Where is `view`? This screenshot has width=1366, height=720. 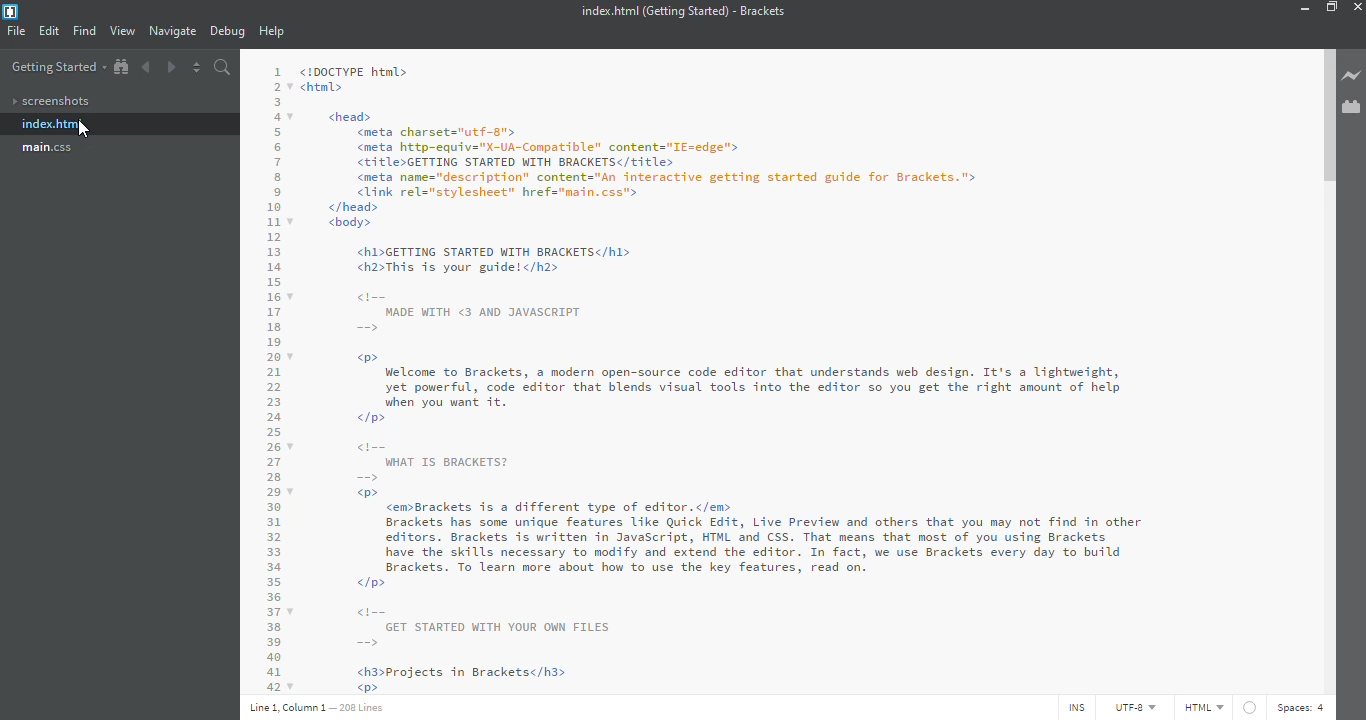
view is located at coordinates (122, 31).